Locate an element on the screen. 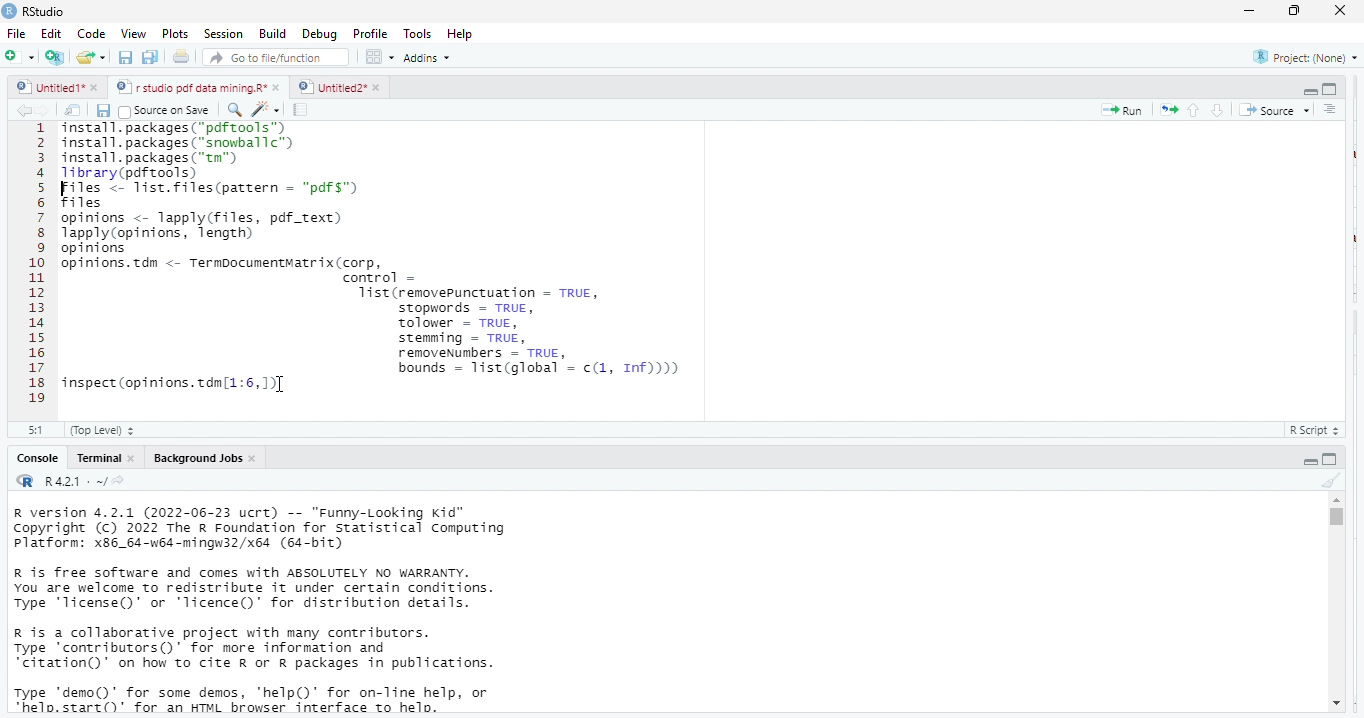  R version 4.2.1 (2022-06-23 ucrt) -- "Funny-Looking Kid™
Copyright (C) 2022 The R Foundation for Statistical Computing
Platform: x86_64-w64-mingw32/x64 (64-bit)

R is free software and comes with ABSOLUTELY NO WARRANTY.
You are welcome to redistribute it under certain conditions.
Type 'Ticense()' or 'licence()’ for distribution details.

R is a collaborative project with many contributors.

Type ‘contributors()’ for more information and

“citation()’ on how to cite R or R packages in publications.
Type "demo()’ for some demos, 'help()' for on-line help, or
"helo.start()" for an HTML browser interface to helo. is located at coordinates (291, 611).